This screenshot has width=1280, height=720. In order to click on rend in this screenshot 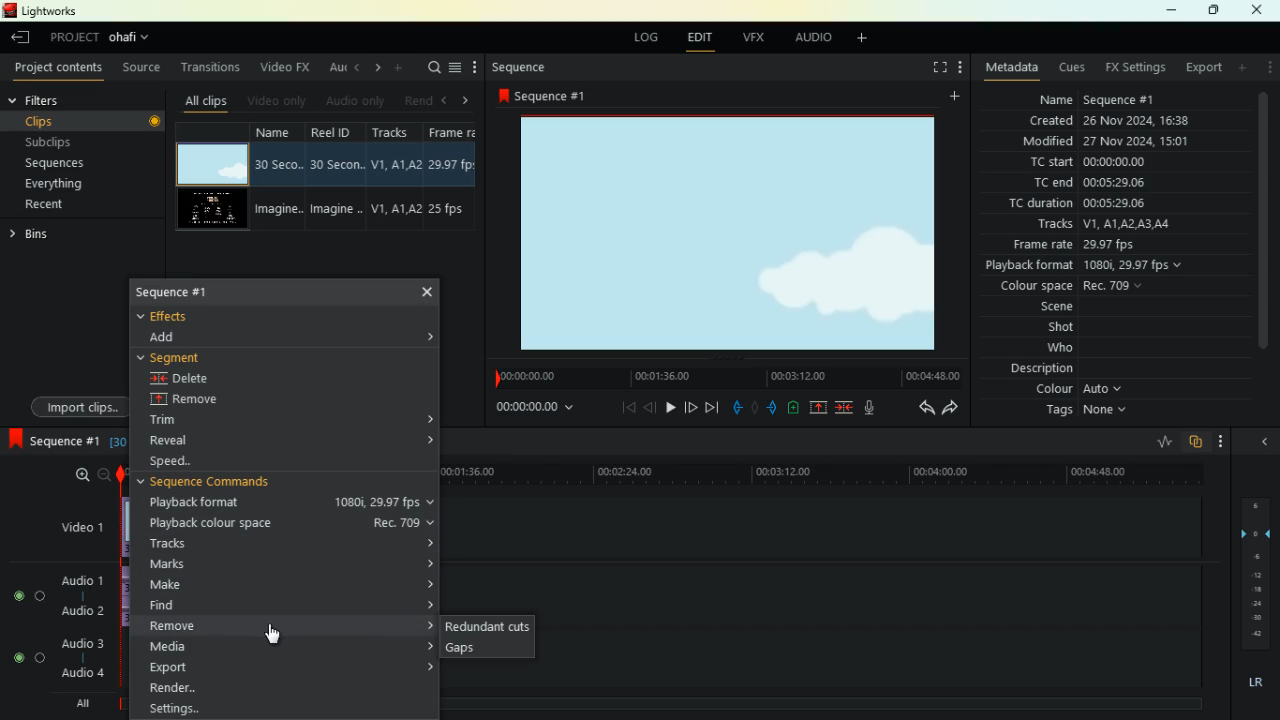, I will do `click(420, 101)`.